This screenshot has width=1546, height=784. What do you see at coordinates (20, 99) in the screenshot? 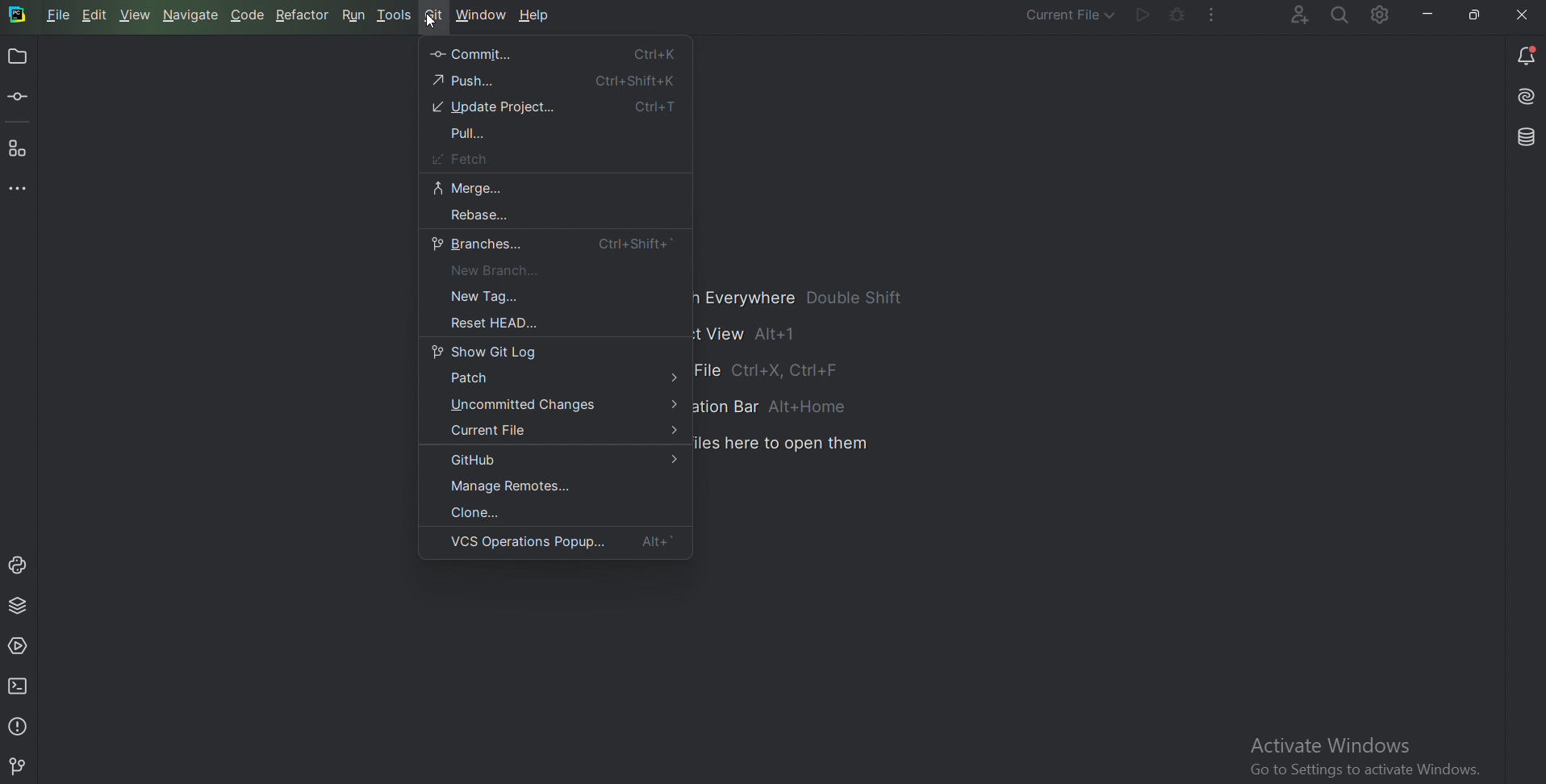
I see `Commit` at bounding box center [20, 99].